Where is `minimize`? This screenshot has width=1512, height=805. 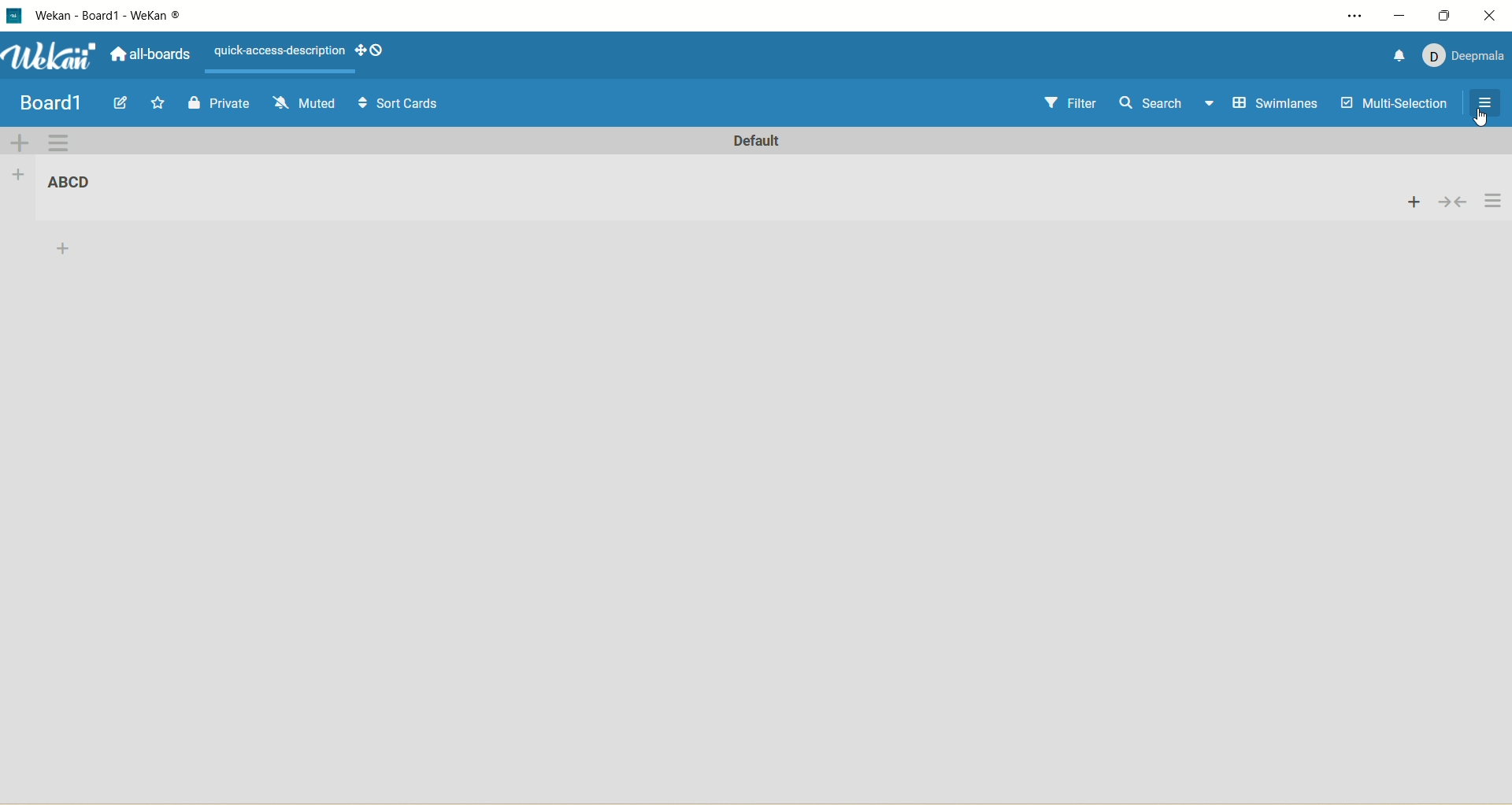 minimize is located at coordinates (1397, 15).